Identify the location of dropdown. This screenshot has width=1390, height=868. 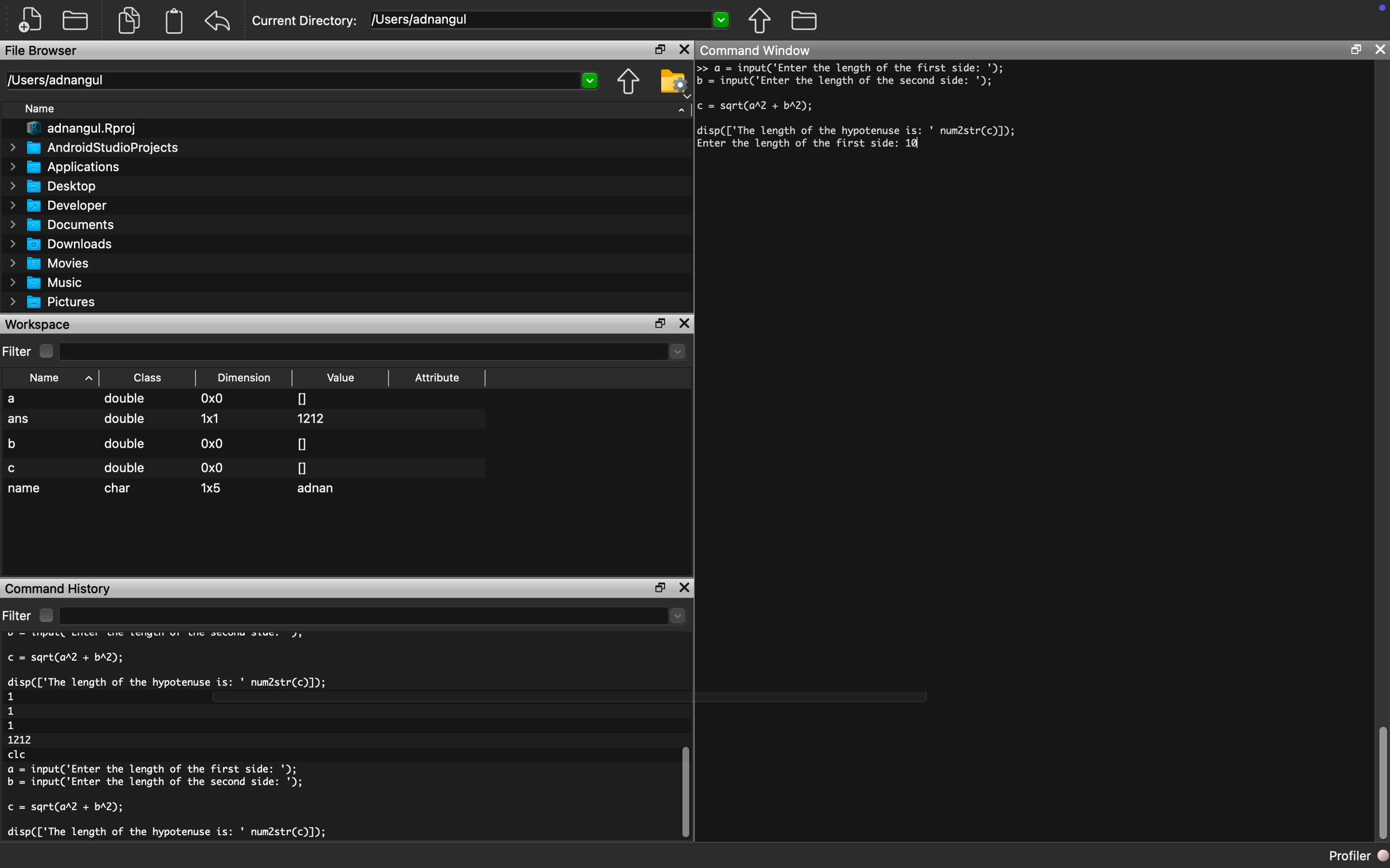
(682, 108).